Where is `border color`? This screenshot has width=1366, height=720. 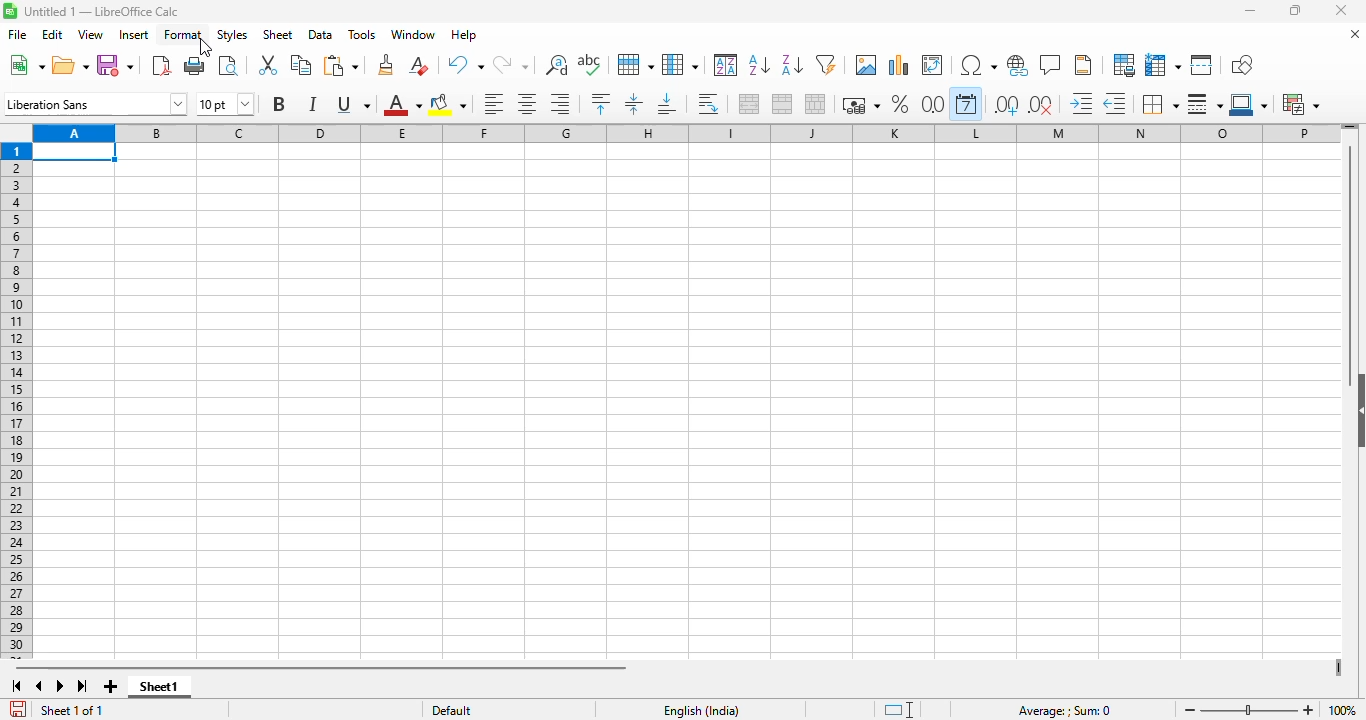 border color is located at coordinates (1248, 104).